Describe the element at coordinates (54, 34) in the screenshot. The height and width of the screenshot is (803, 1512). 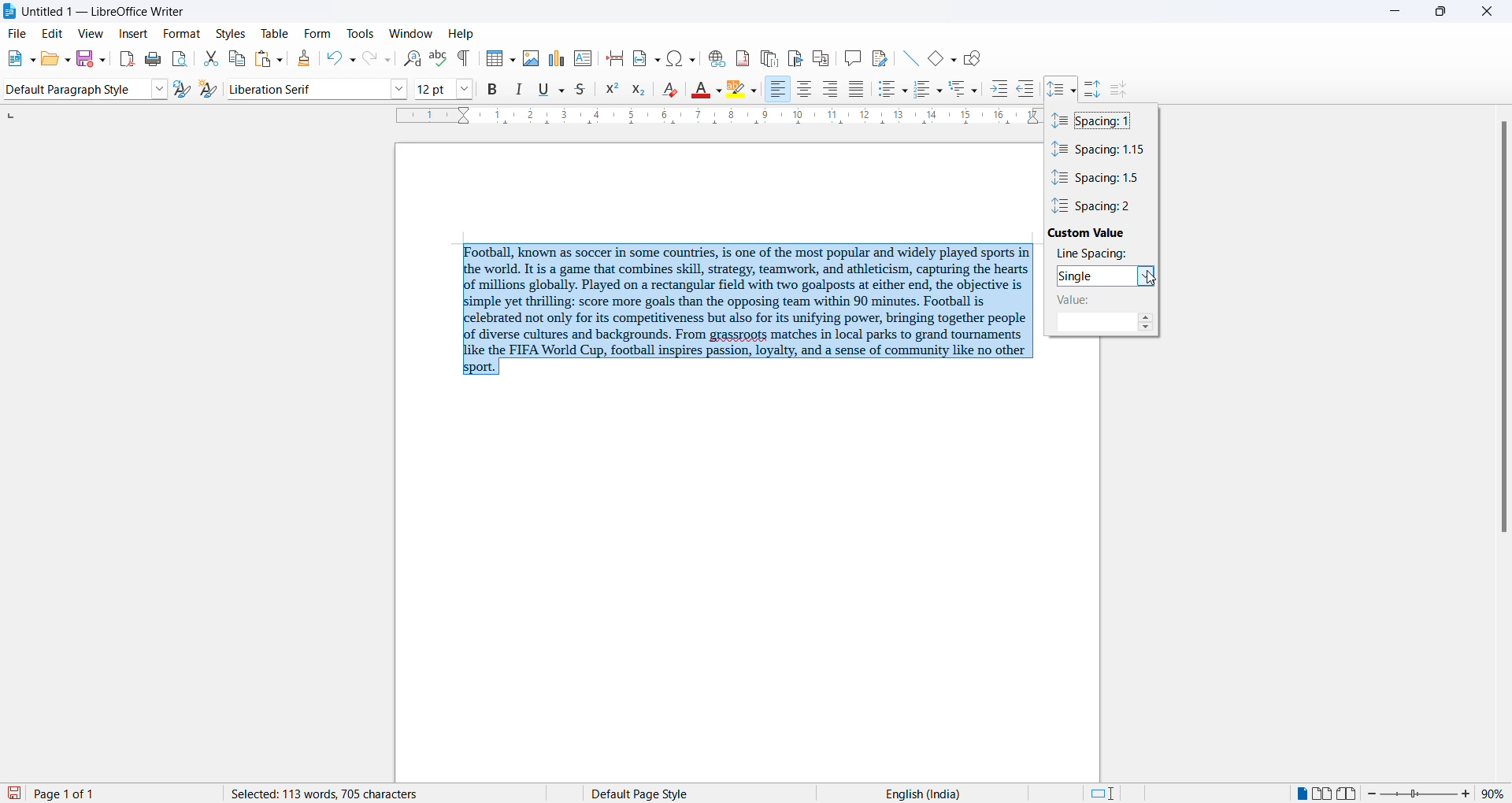
I see `edit` at that location.